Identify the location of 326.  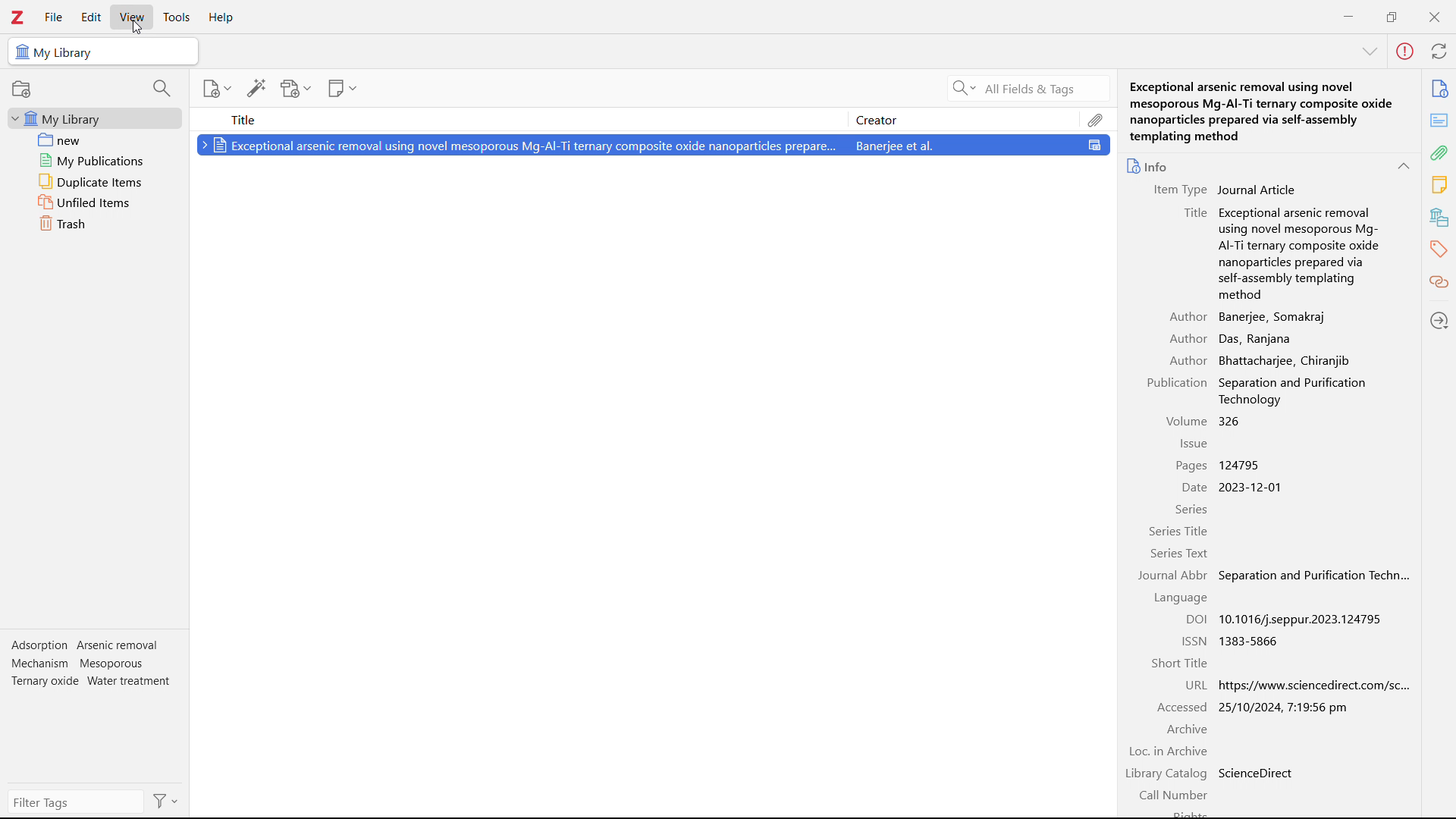
(1231, 420).